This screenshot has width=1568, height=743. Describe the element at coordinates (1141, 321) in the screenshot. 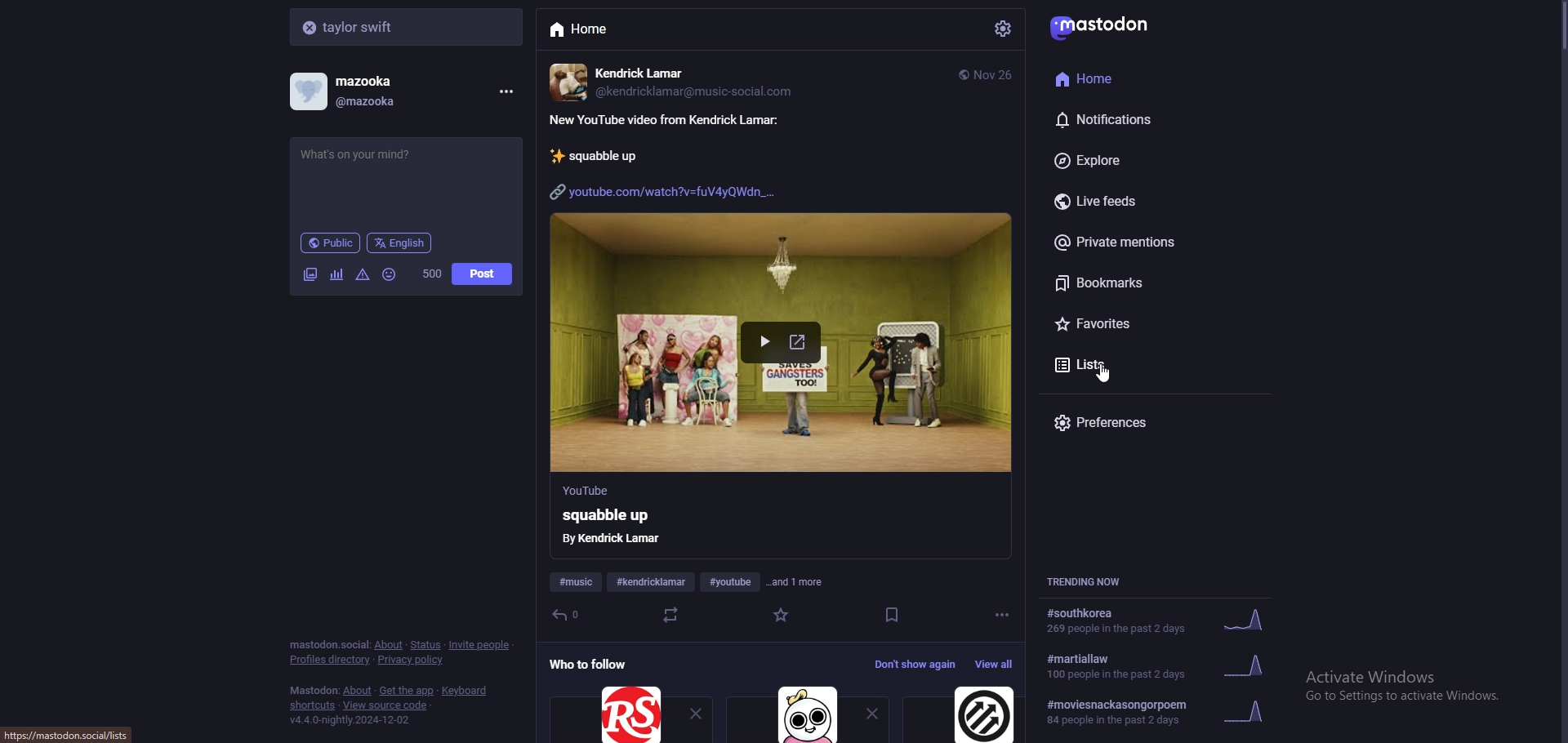

I see `favourites` at that location.